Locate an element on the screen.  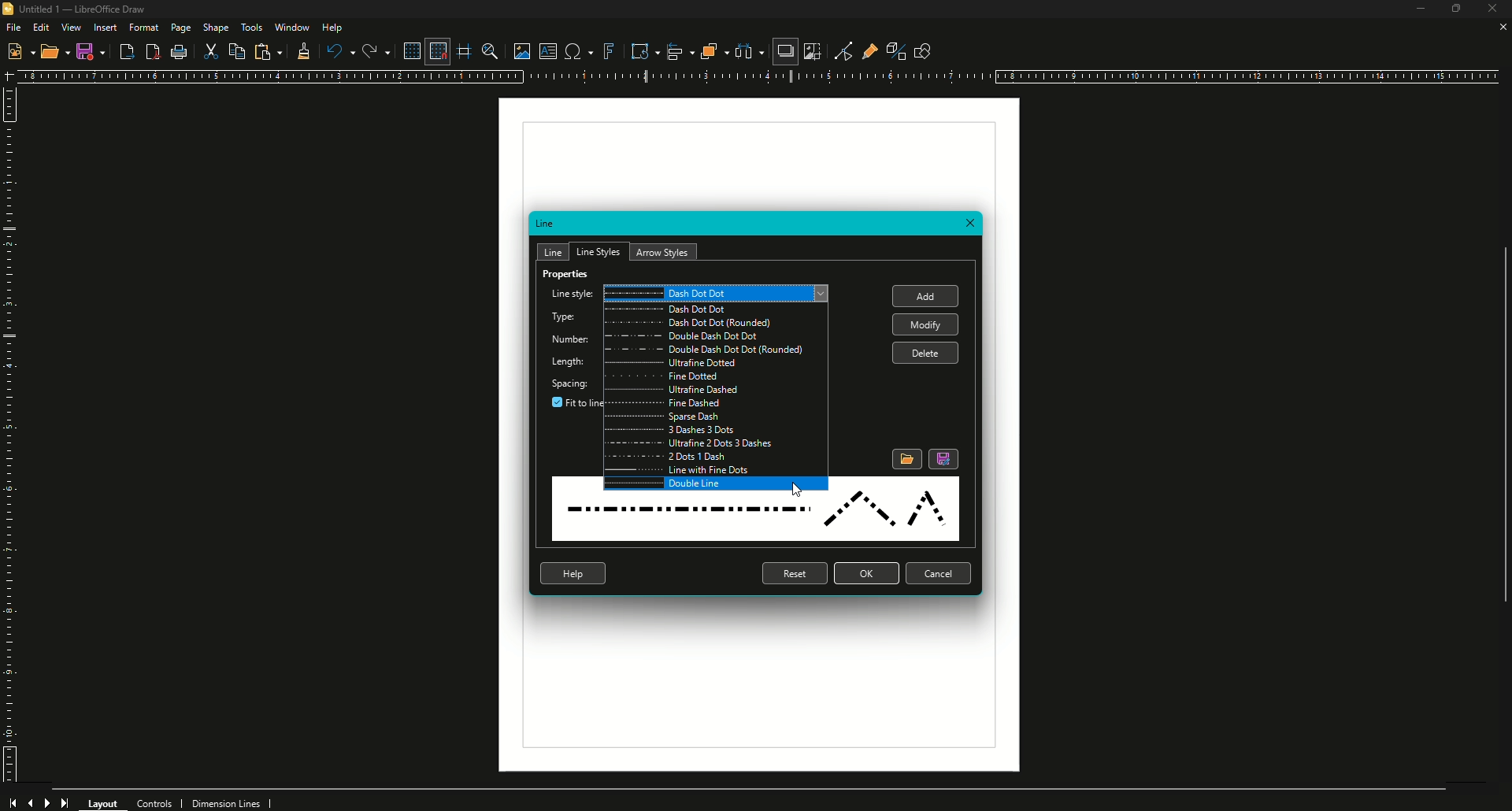
Open is located at coordinates (55, 54).